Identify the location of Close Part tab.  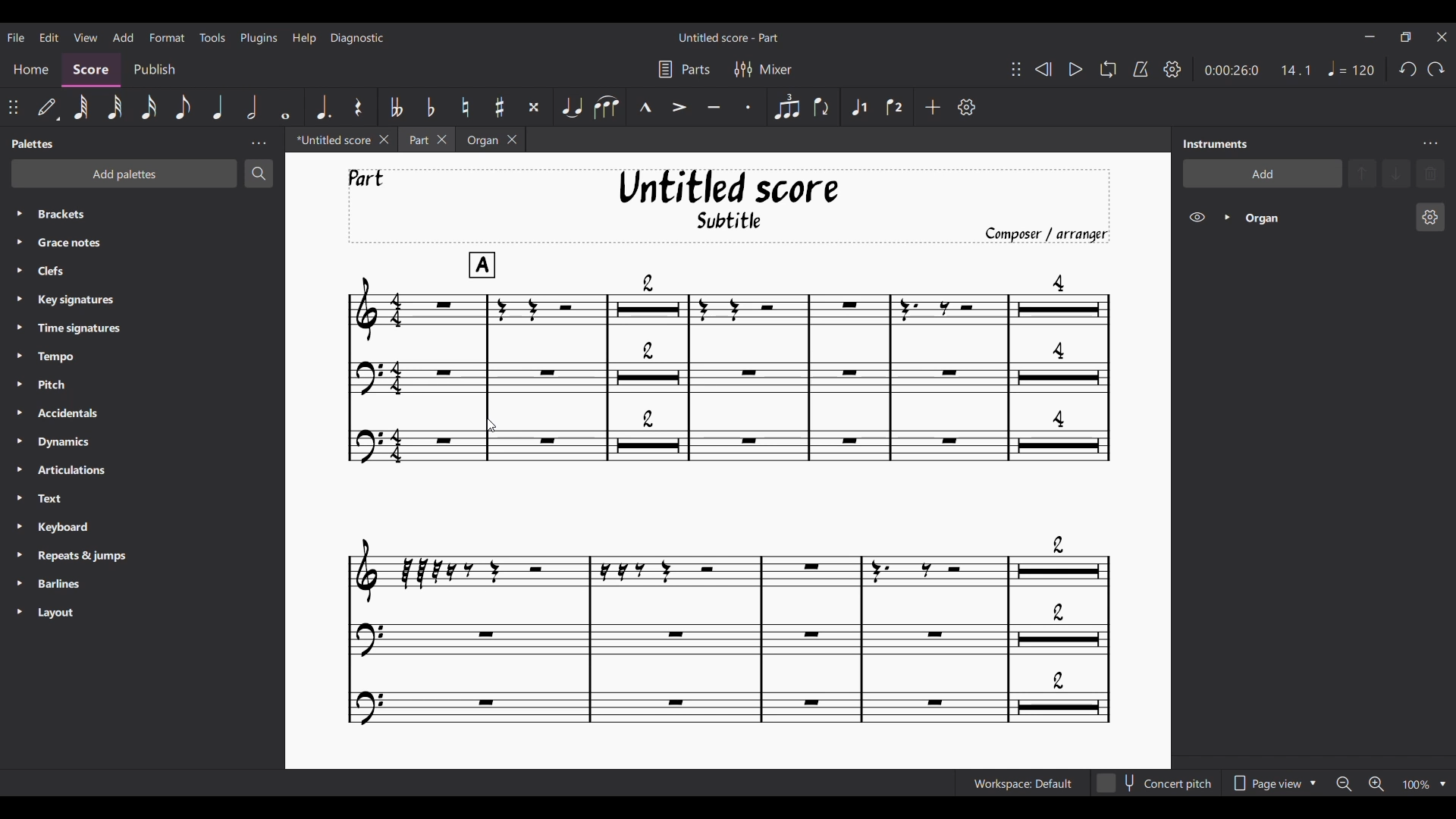
(442, 140).